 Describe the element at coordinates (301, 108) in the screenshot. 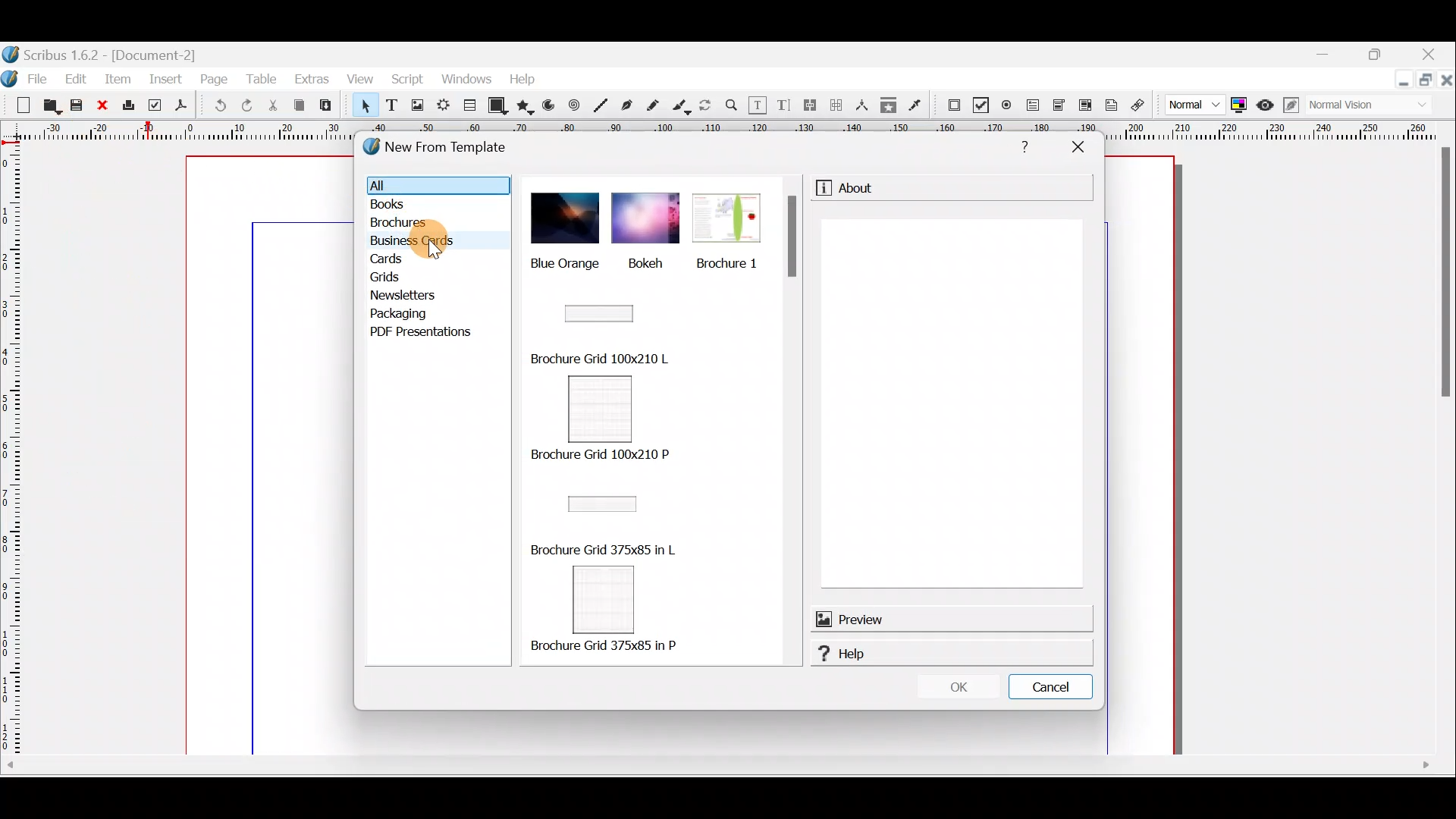

I see `Copy` at that location.